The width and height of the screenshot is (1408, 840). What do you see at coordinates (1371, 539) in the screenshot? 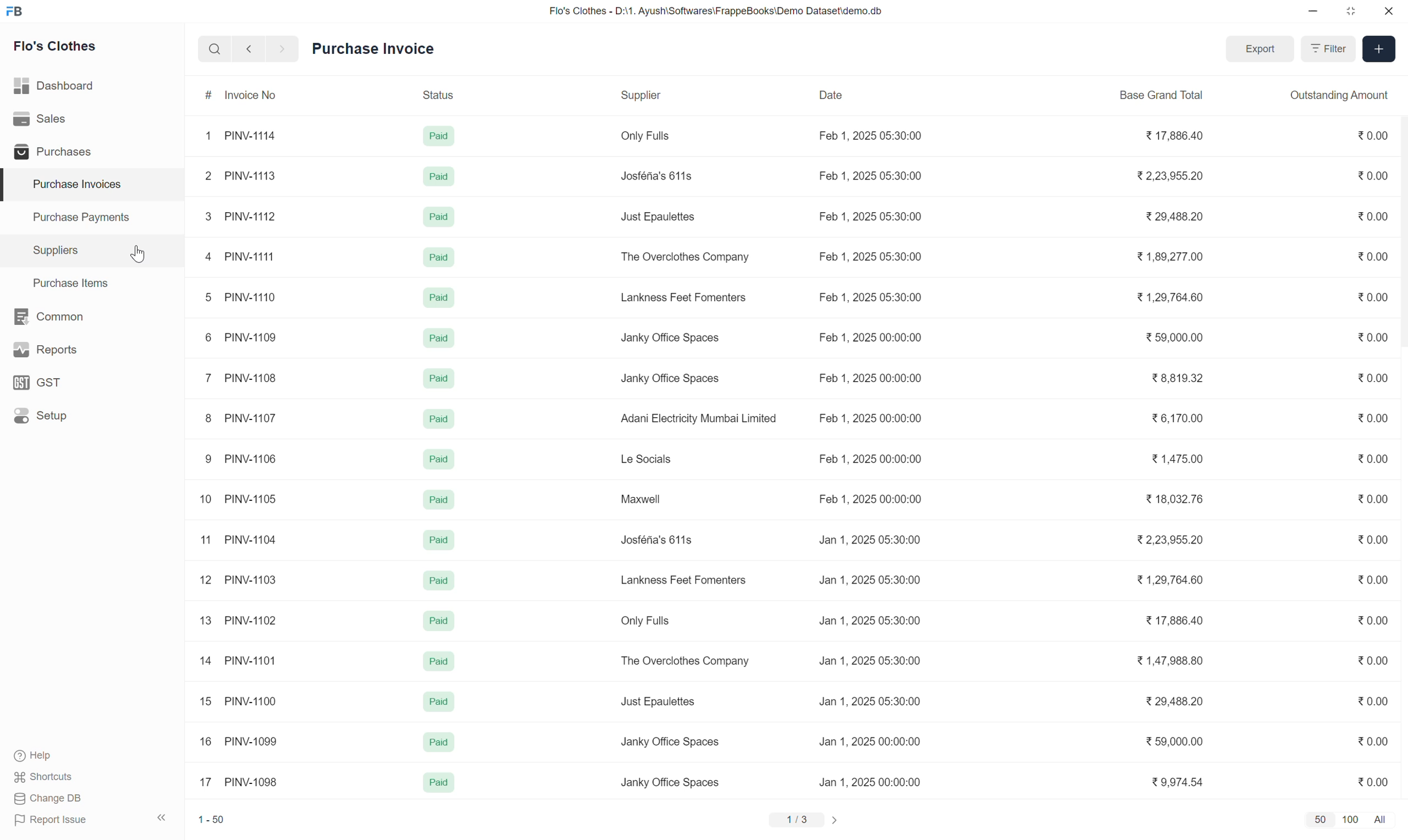
I see `0.00` at bounding box center [1371, 539].